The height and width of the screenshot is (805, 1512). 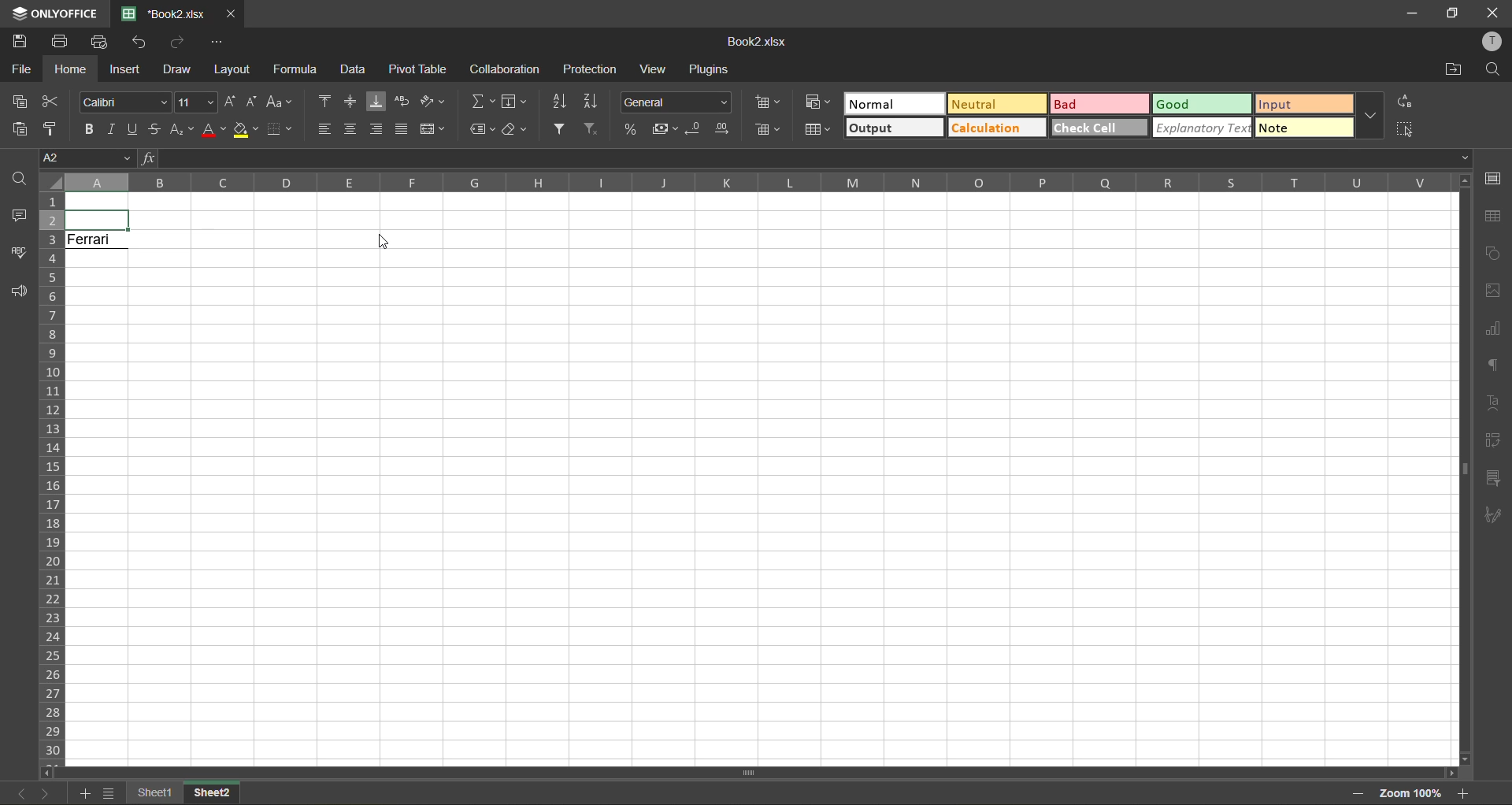 What do you see at coordinates (755, 183) in the screenshot?
I see `column names` at bounding box center [755, 183].